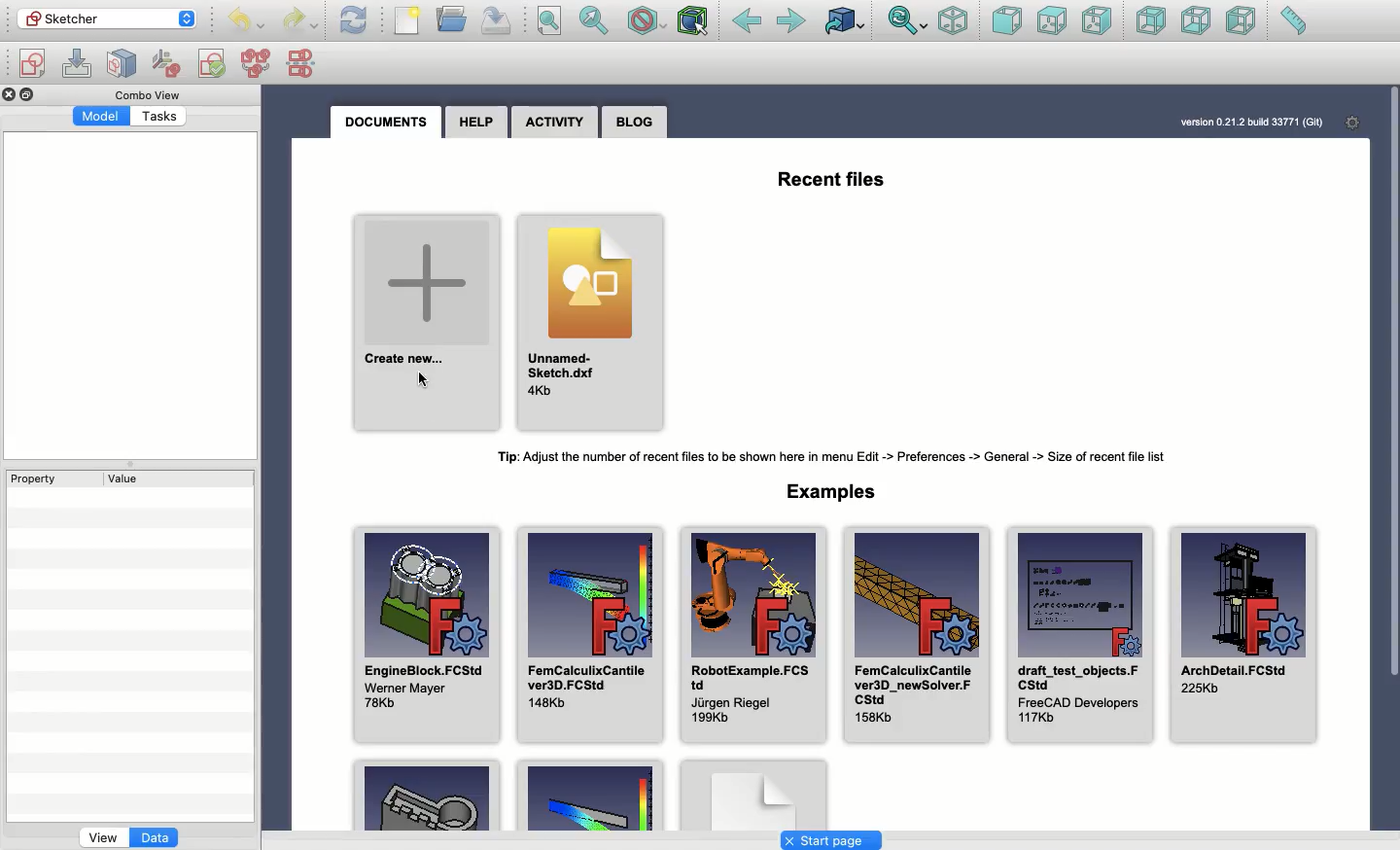  What do you see at coordinates (791, 23) in the screenshot?
I see `Forward` at bounding box center [791, 23].